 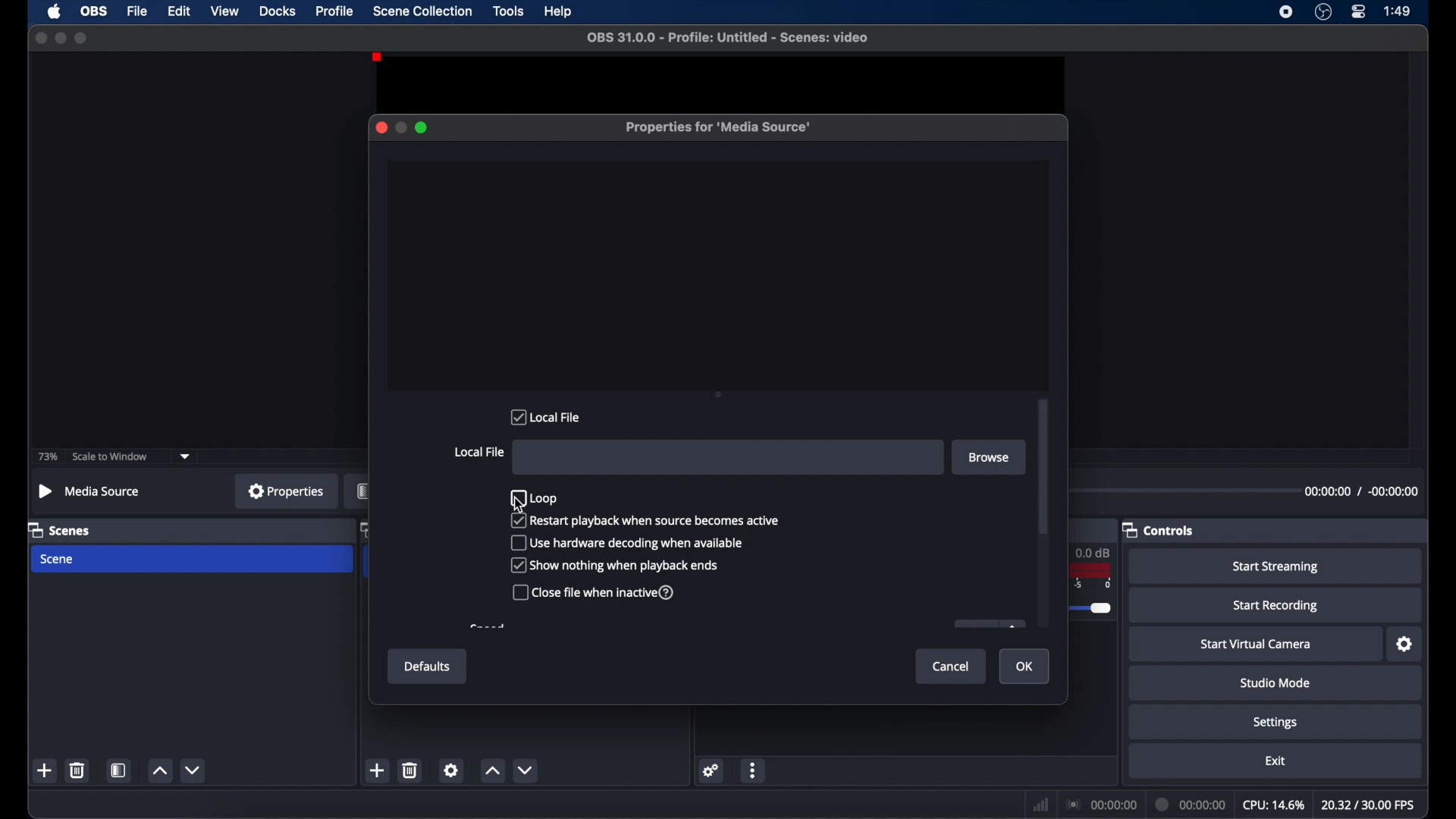 I want to click on 73%, so click(x=47, y=457).